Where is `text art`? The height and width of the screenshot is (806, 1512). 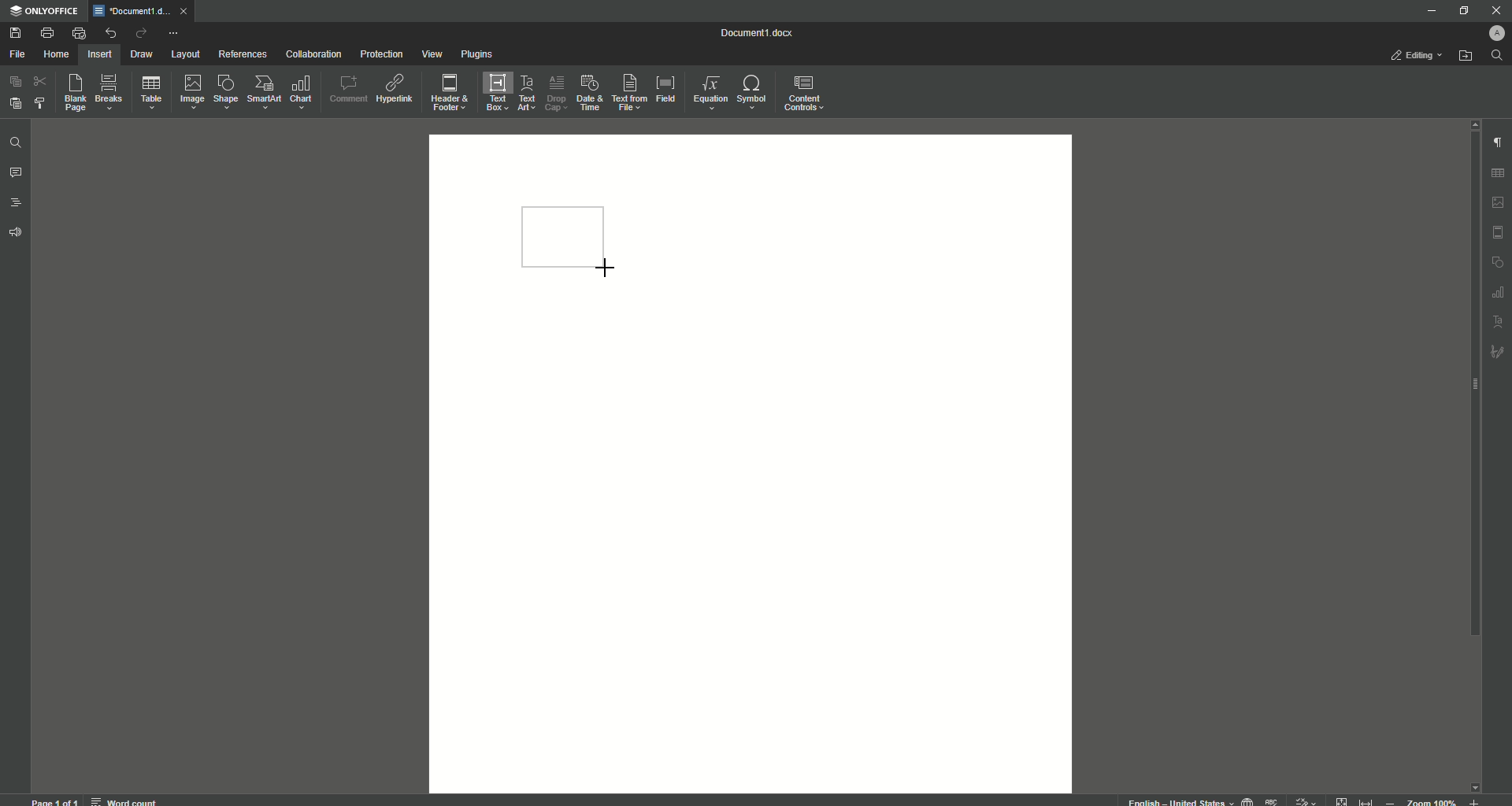
text art is located at coordinates (1499, 323).